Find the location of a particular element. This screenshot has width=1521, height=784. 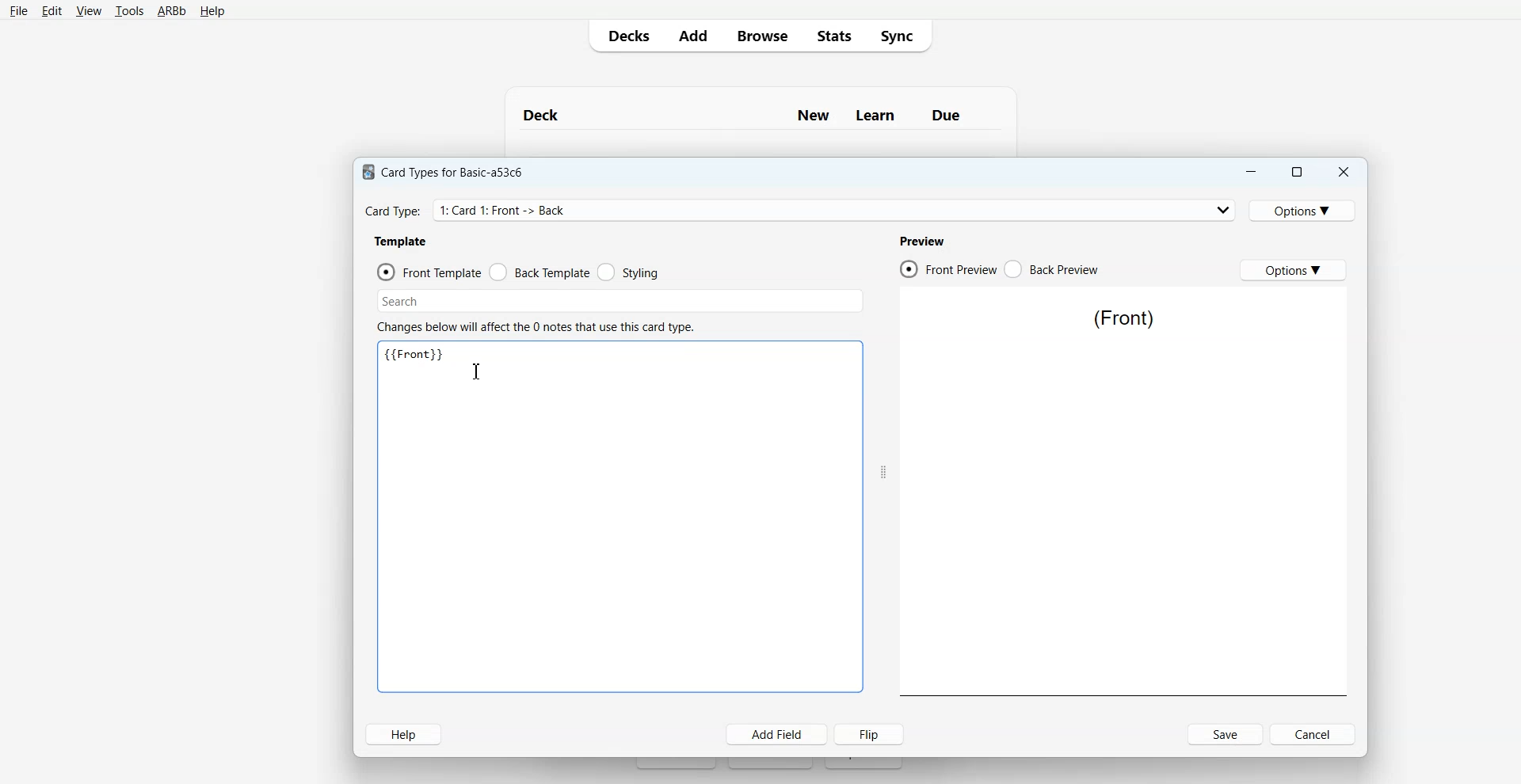

{{Front}} is located at coordinates (415, 353).